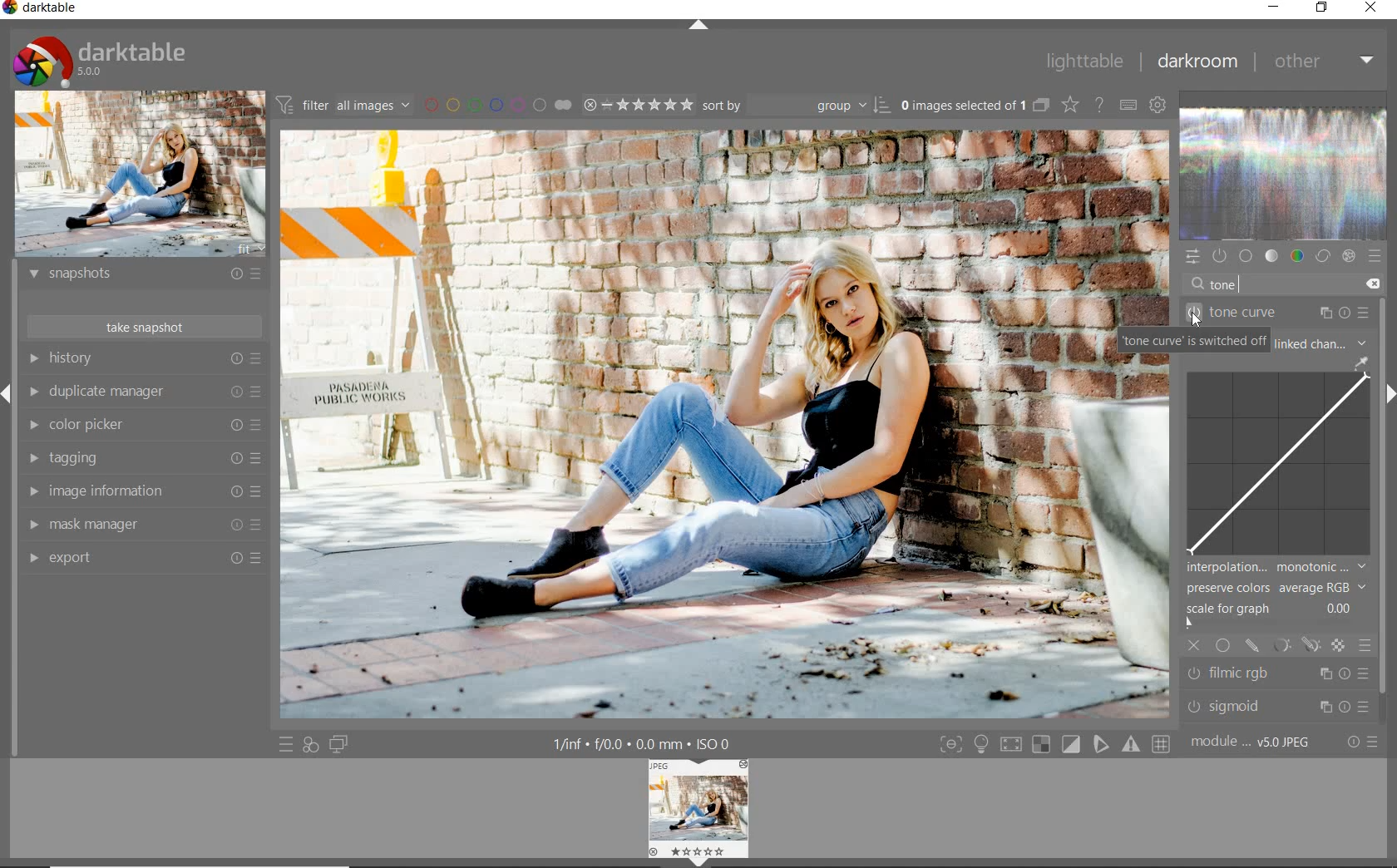  I want to click on system logo, so click(101, 60).